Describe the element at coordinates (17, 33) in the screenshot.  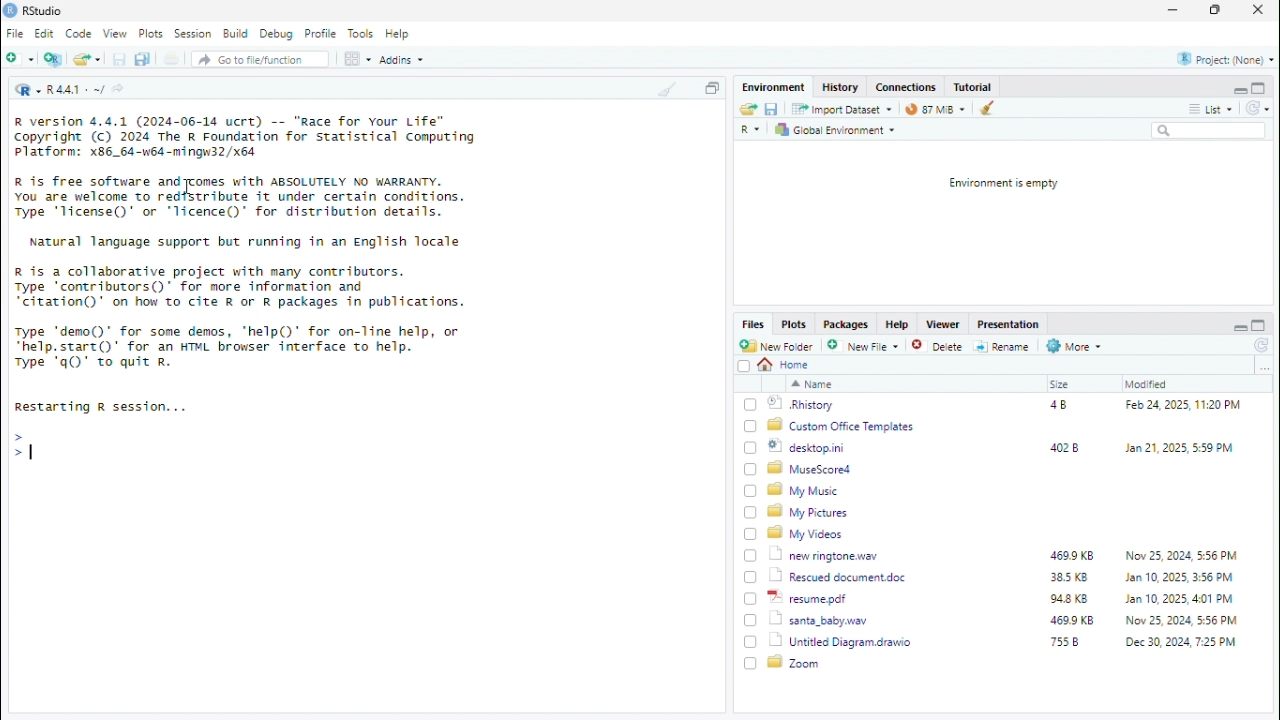
I see `File` at that location.